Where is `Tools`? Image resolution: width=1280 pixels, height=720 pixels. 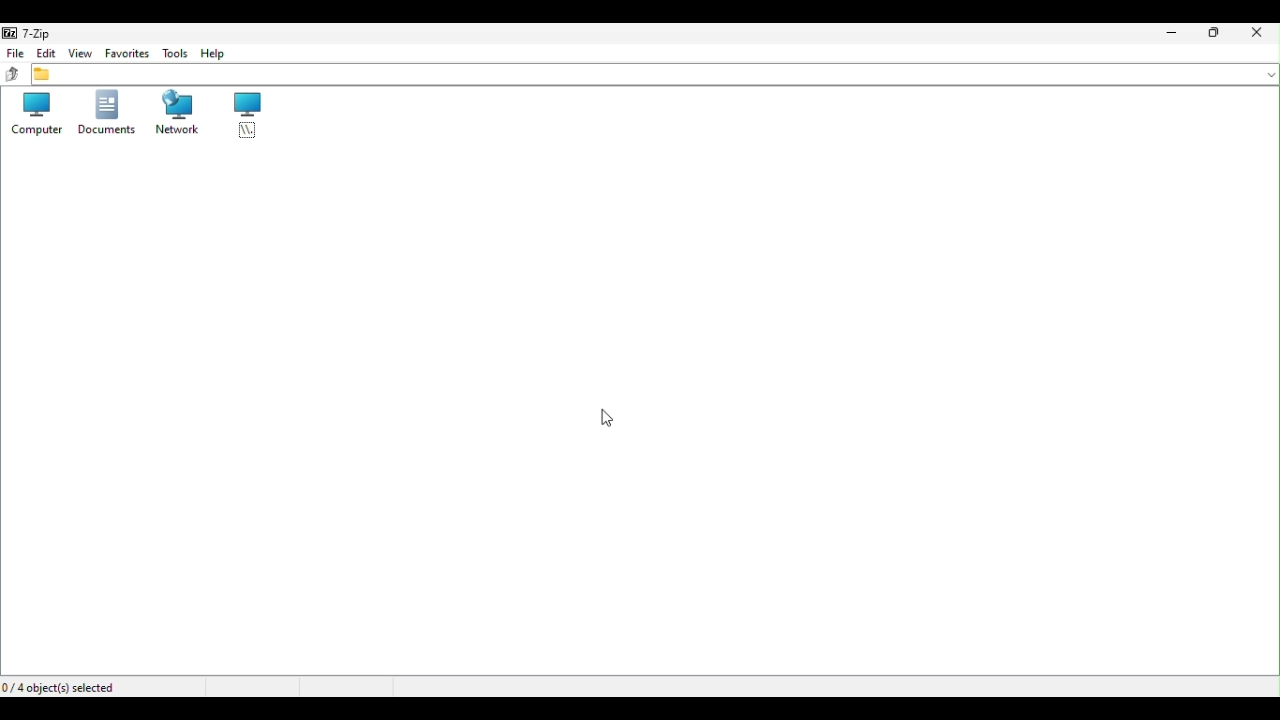 Tools is located at coordinates (176, 53).